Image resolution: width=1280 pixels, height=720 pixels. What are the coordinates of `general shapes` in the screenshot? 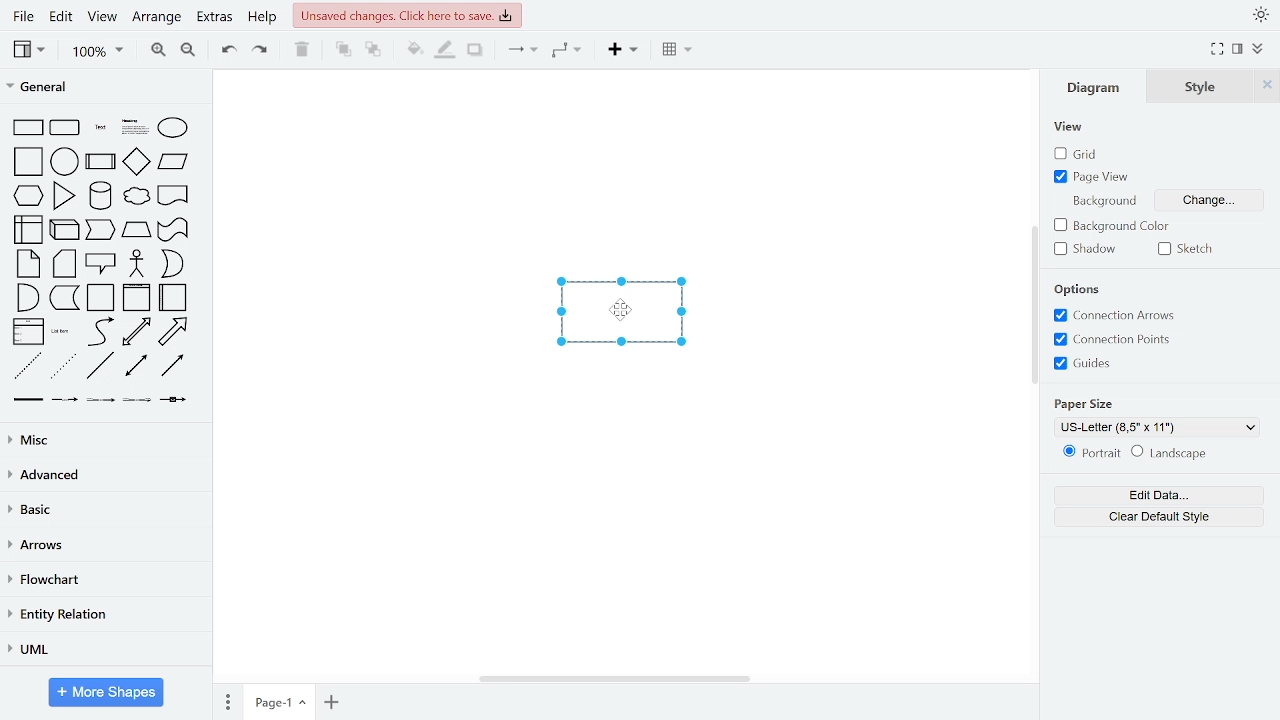 It's located at (96, 123).